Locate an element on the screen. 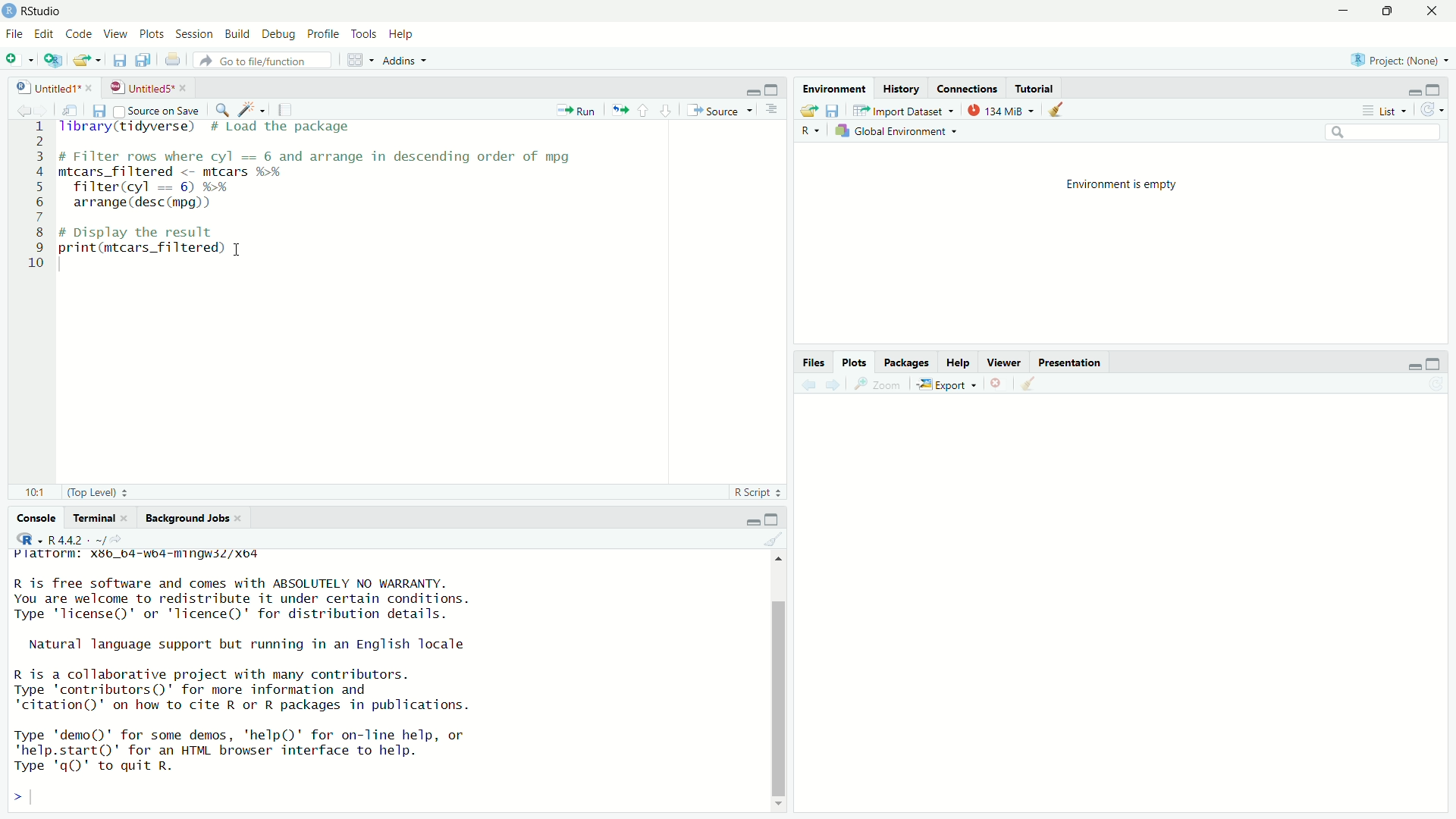 The height and width of the screenshot is (819, 1456). maximize is located at coordinates (1390, 11).